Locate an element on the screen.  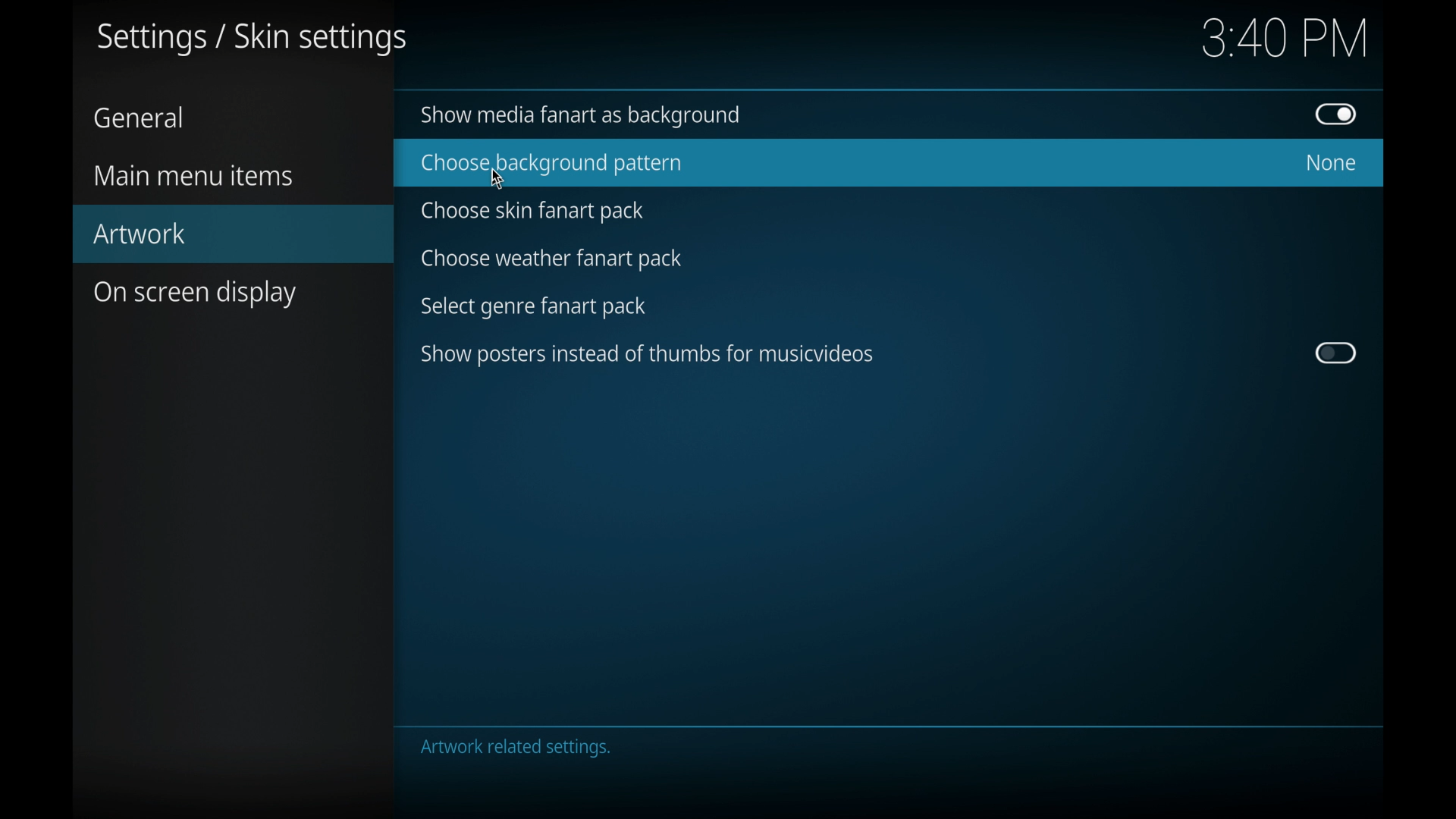
select genre fanart pack is located at coordinates (534, 307).